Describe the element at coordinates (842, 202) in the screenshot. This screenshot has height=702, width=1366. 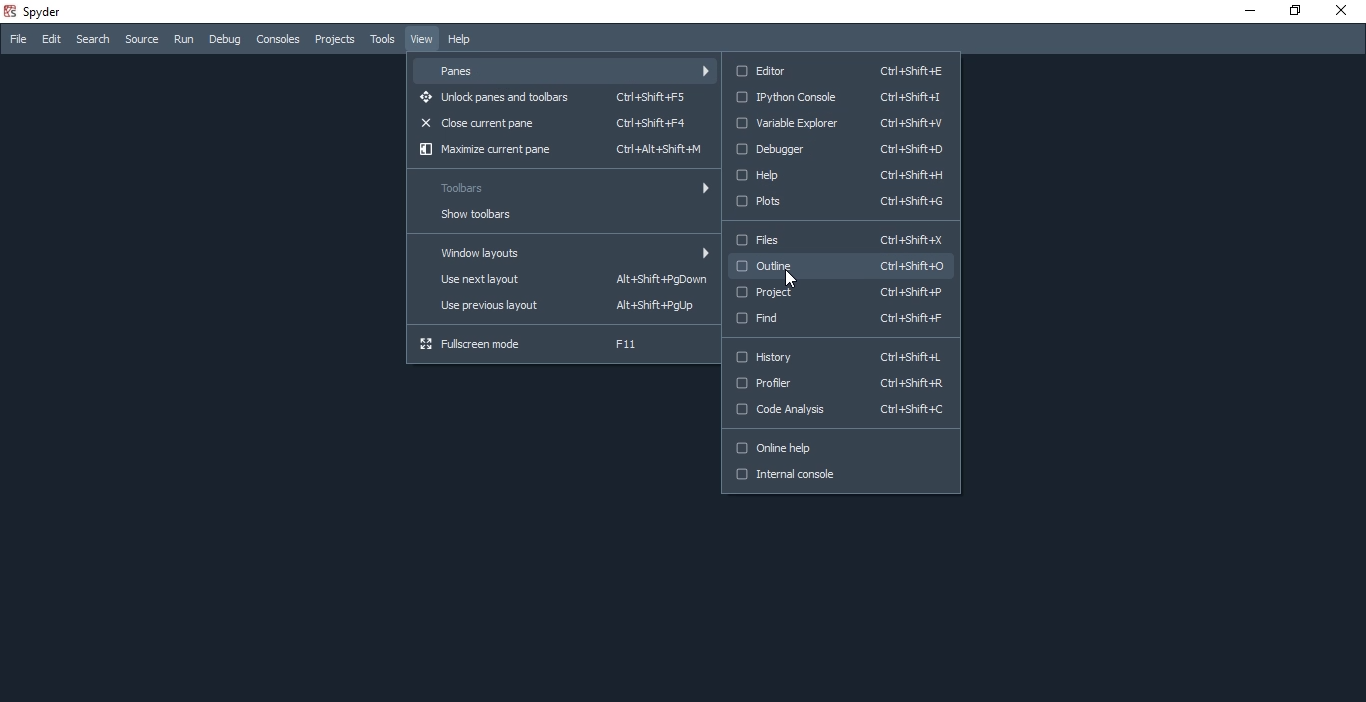
I see `plots` at that location.